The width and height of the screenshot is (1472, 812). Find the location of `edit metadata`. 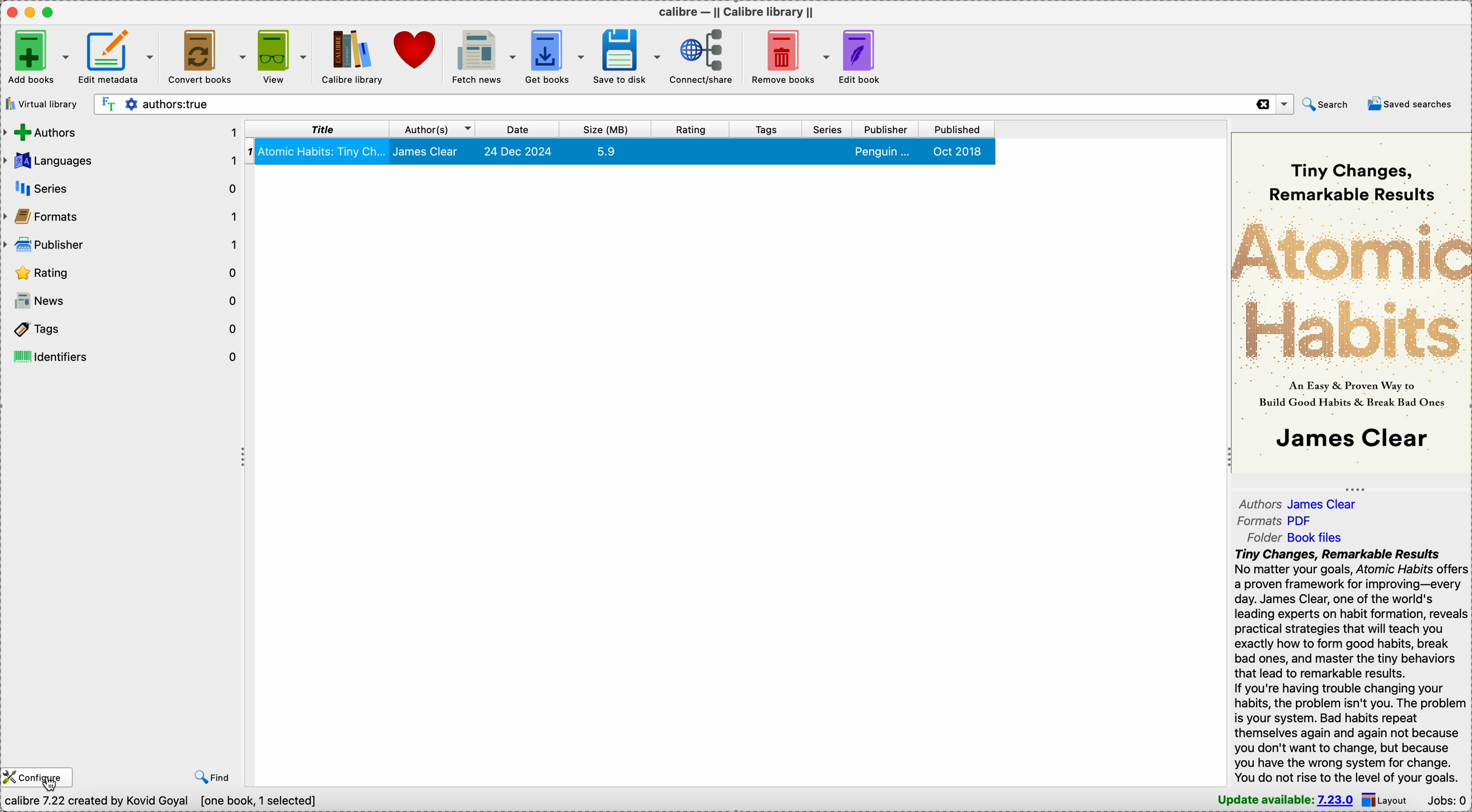

edit metadata is located at coordinates (116, 55).